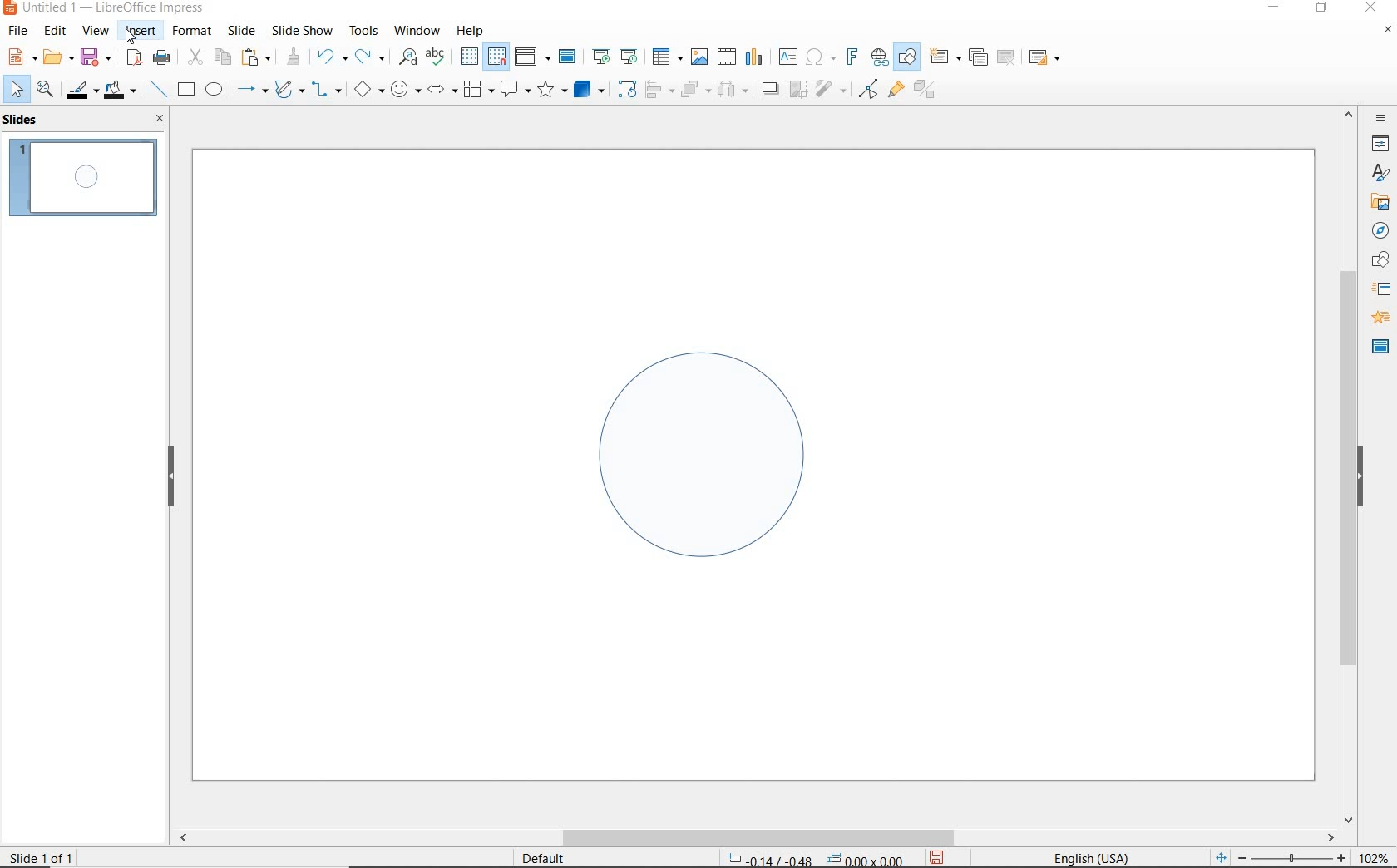  I want to click on select, so click(17, 90).